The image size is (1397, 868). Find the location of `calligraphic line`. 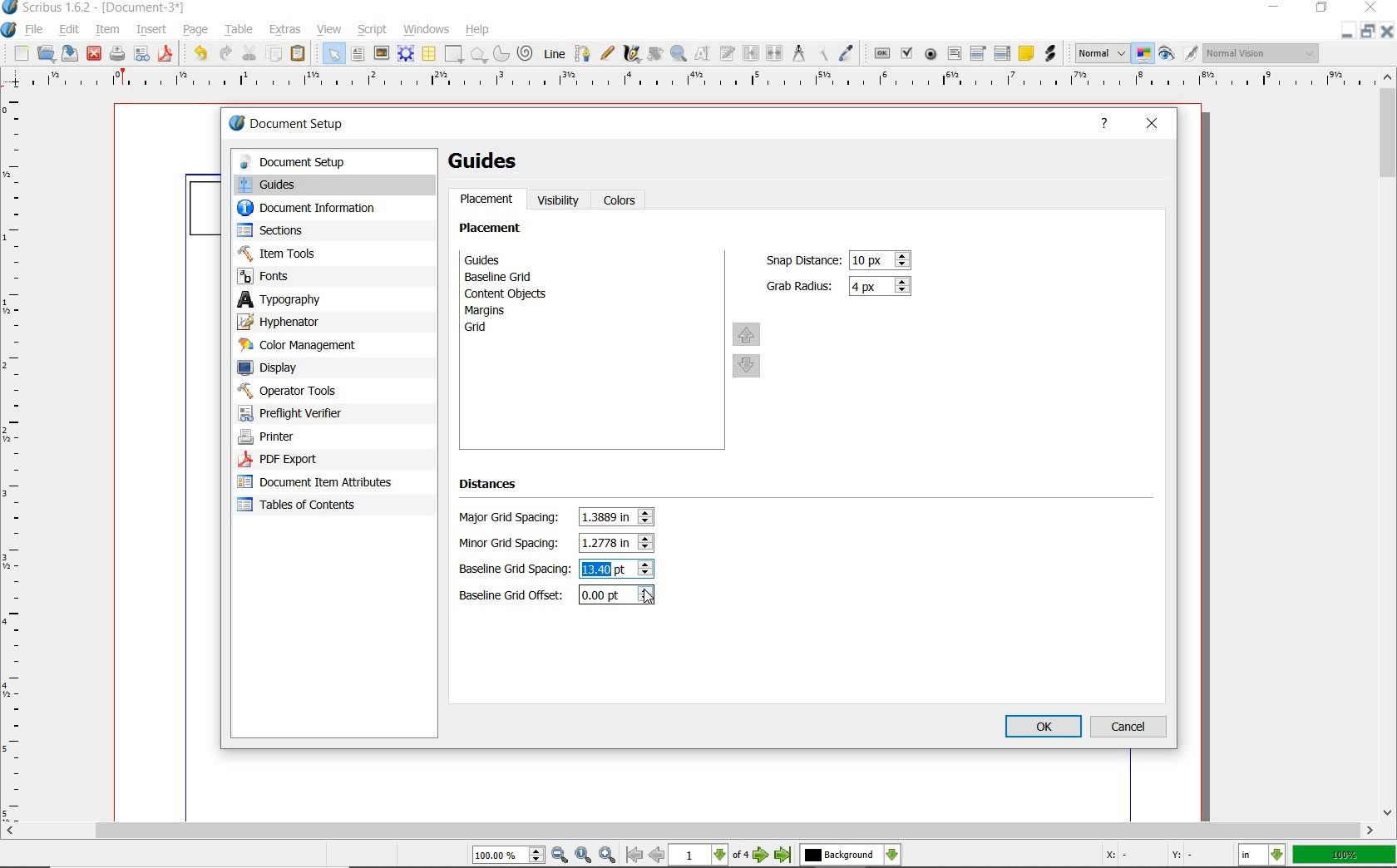

calligraphic line is located at coordinates (634, 54).